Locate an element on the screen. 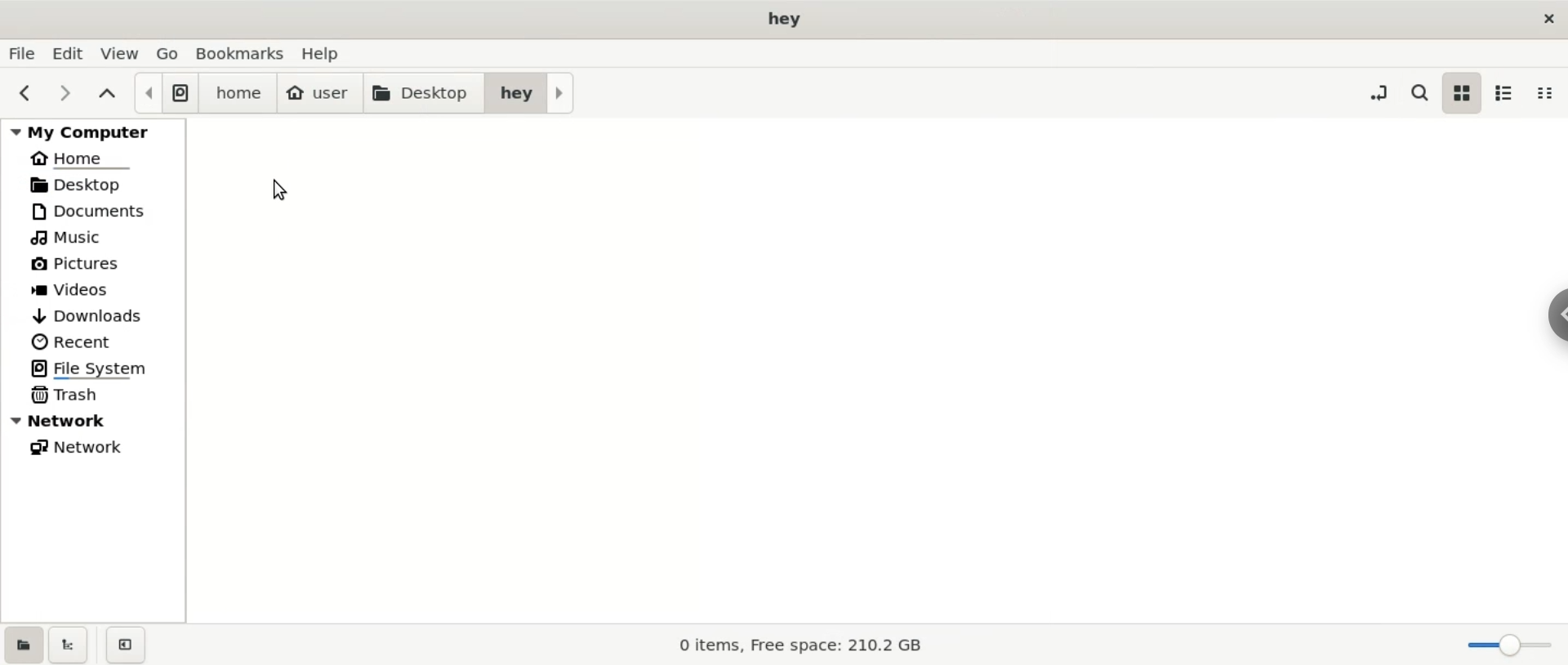 This screenshot has height=665, width=1568. show treeview is located at coordinates (69, 645).